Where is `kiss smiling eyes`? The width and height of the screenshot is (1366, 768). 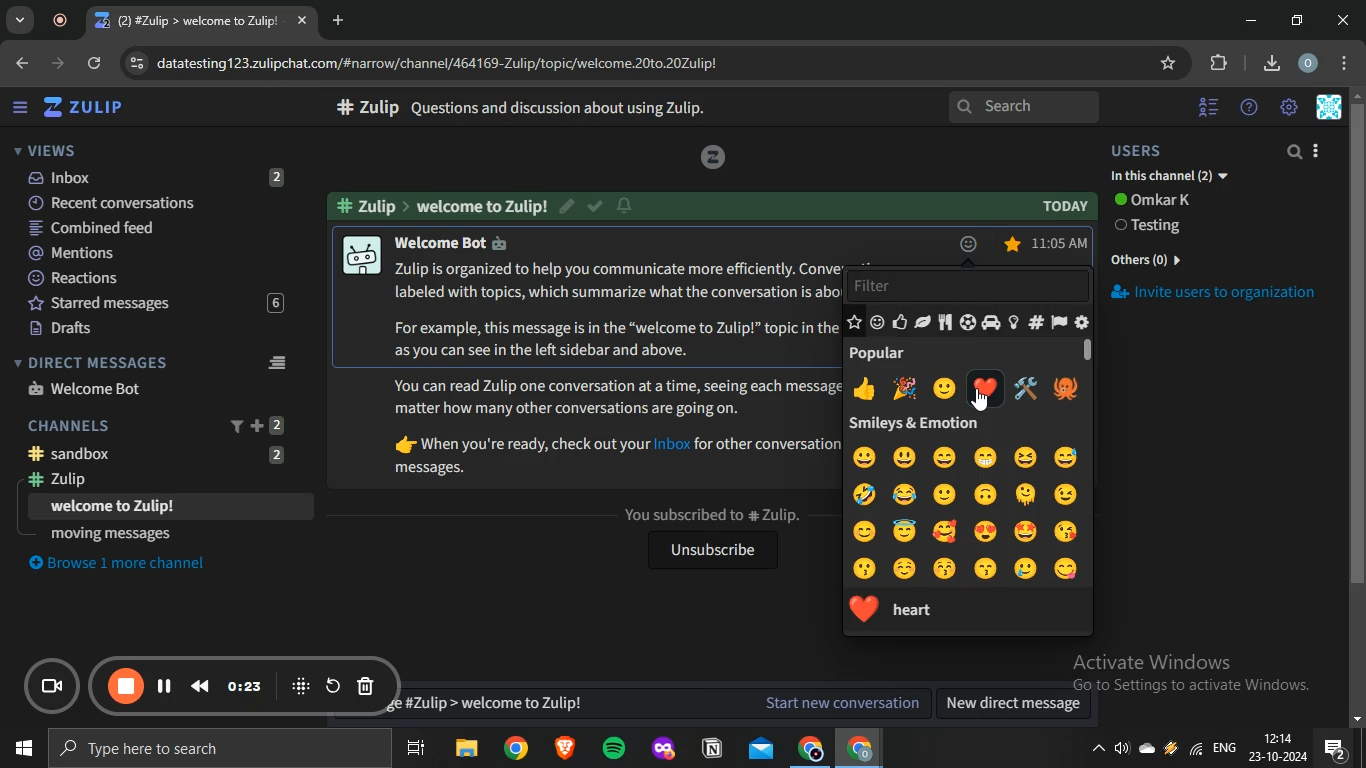
kiss smiling eyes is located at coordinates (984, 568).